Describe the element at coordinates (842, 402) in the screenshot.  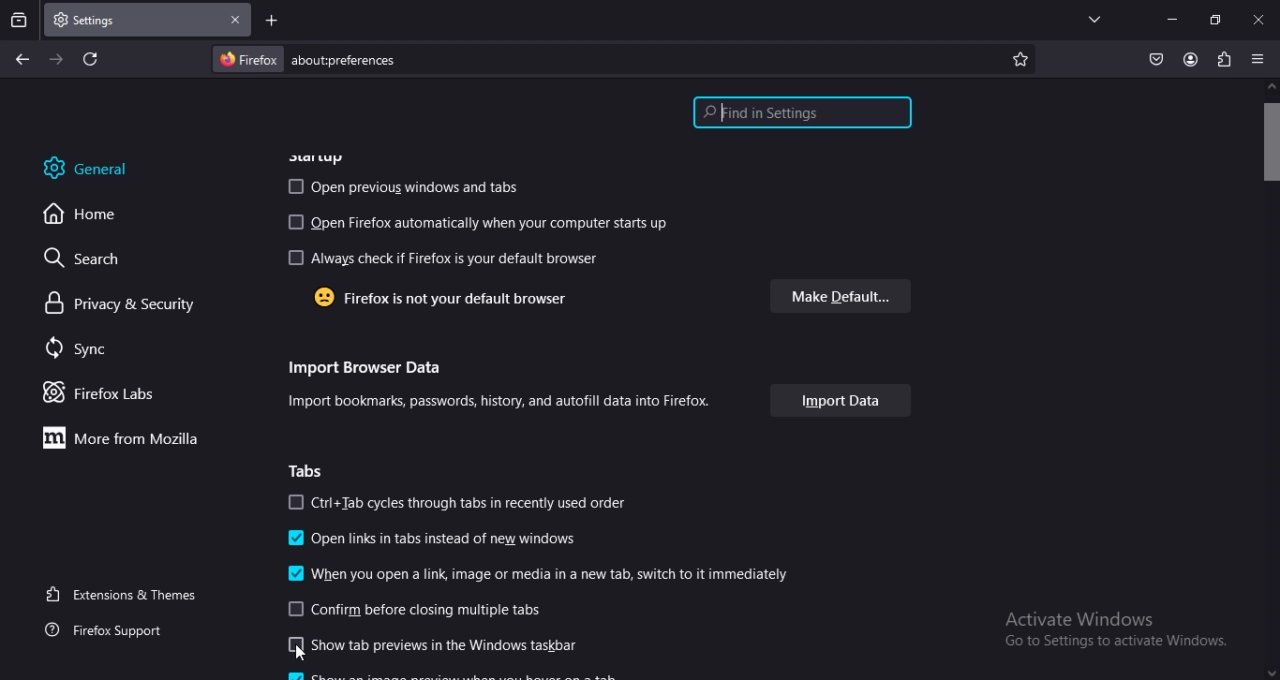
I see `import data` at that location.